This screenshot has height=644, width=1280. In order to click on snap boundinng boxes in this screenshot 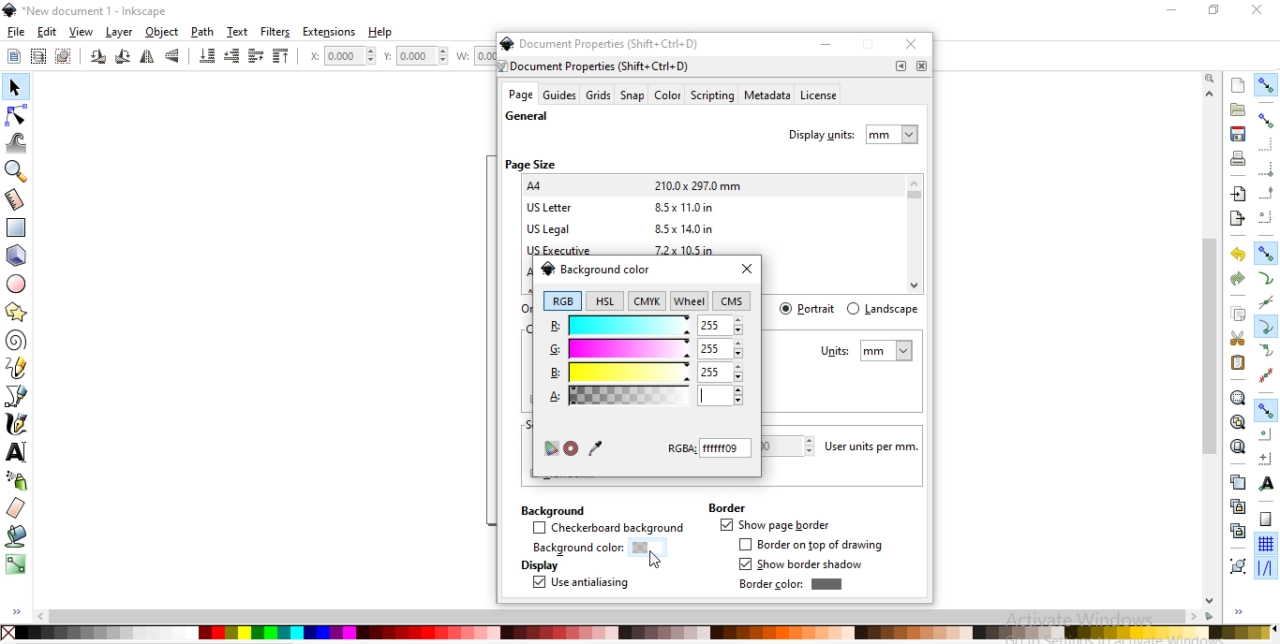, I will do `click(1265, 121)`.